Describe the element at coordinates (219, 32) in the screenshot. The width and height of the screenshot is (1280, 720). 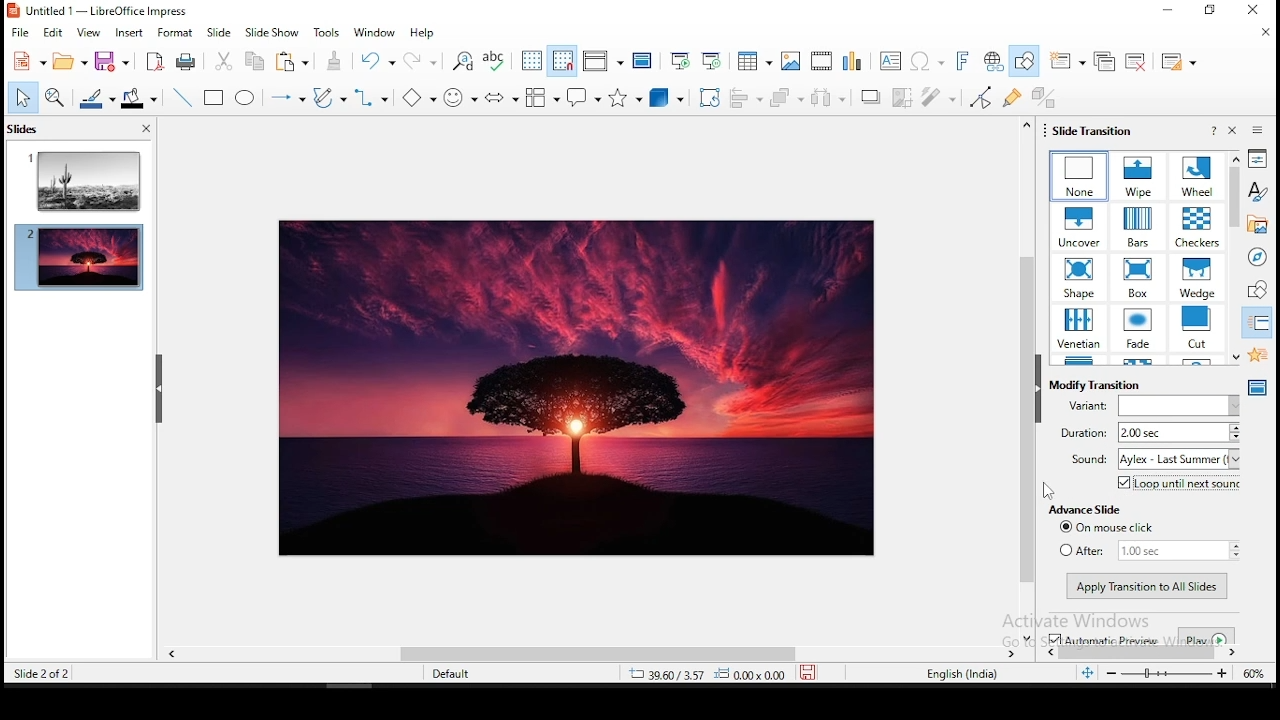
I see `slide` at that location.